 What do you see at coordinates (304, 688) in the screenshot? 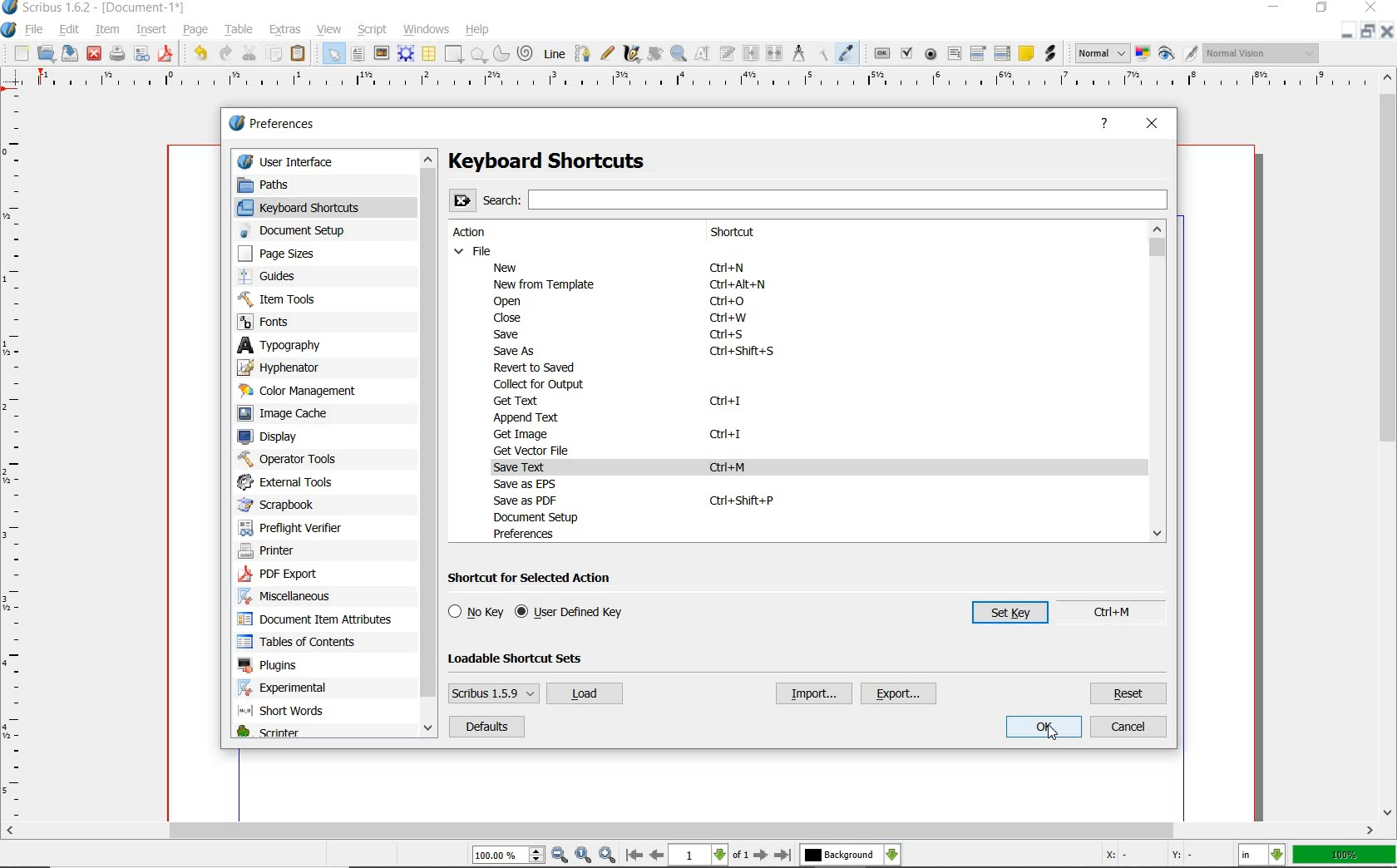
I see `experimental` at bounding box center [304, 688].